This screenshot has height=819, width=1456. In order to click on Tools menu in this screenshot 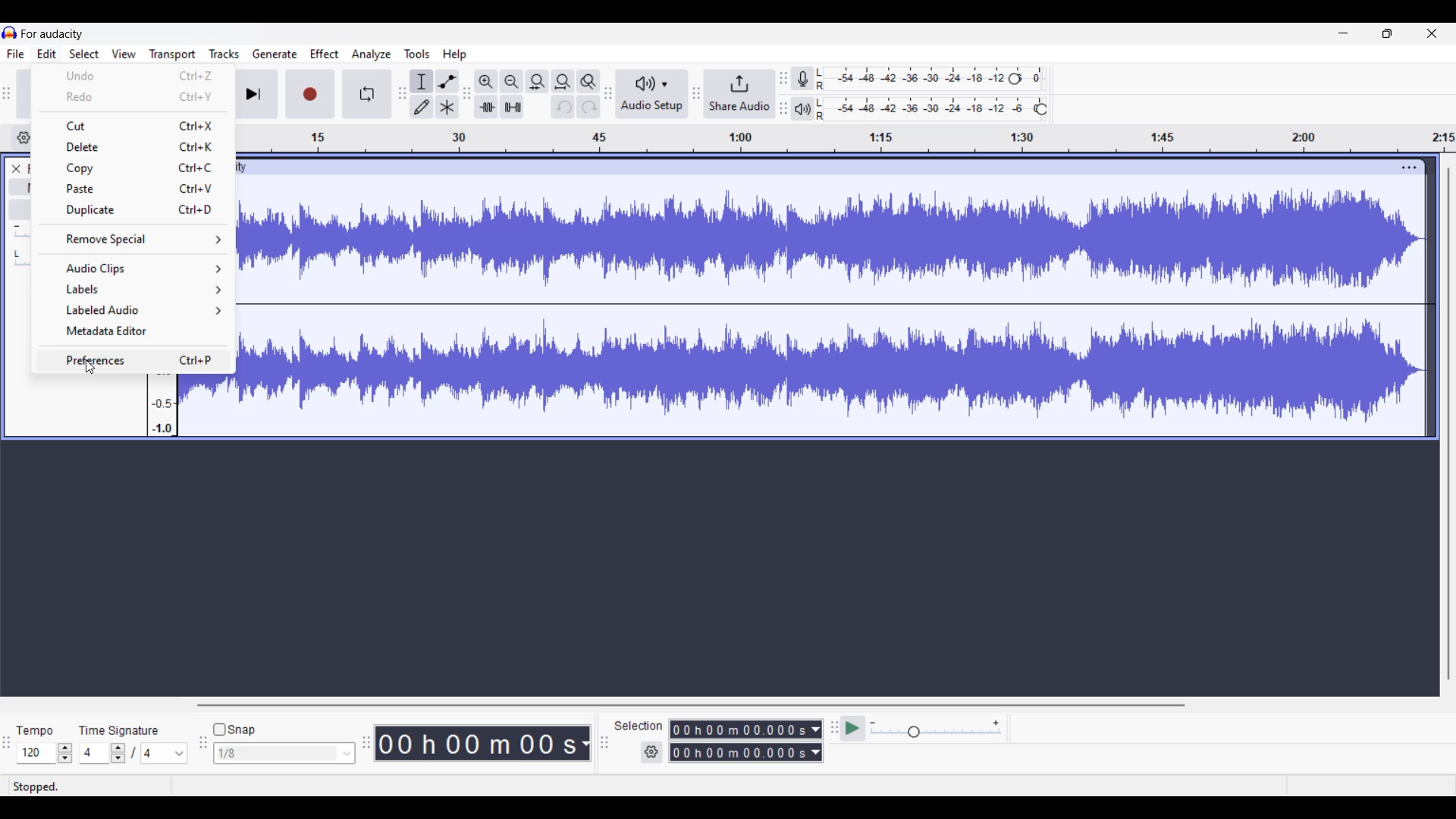, I will do `click(416, 54)`.